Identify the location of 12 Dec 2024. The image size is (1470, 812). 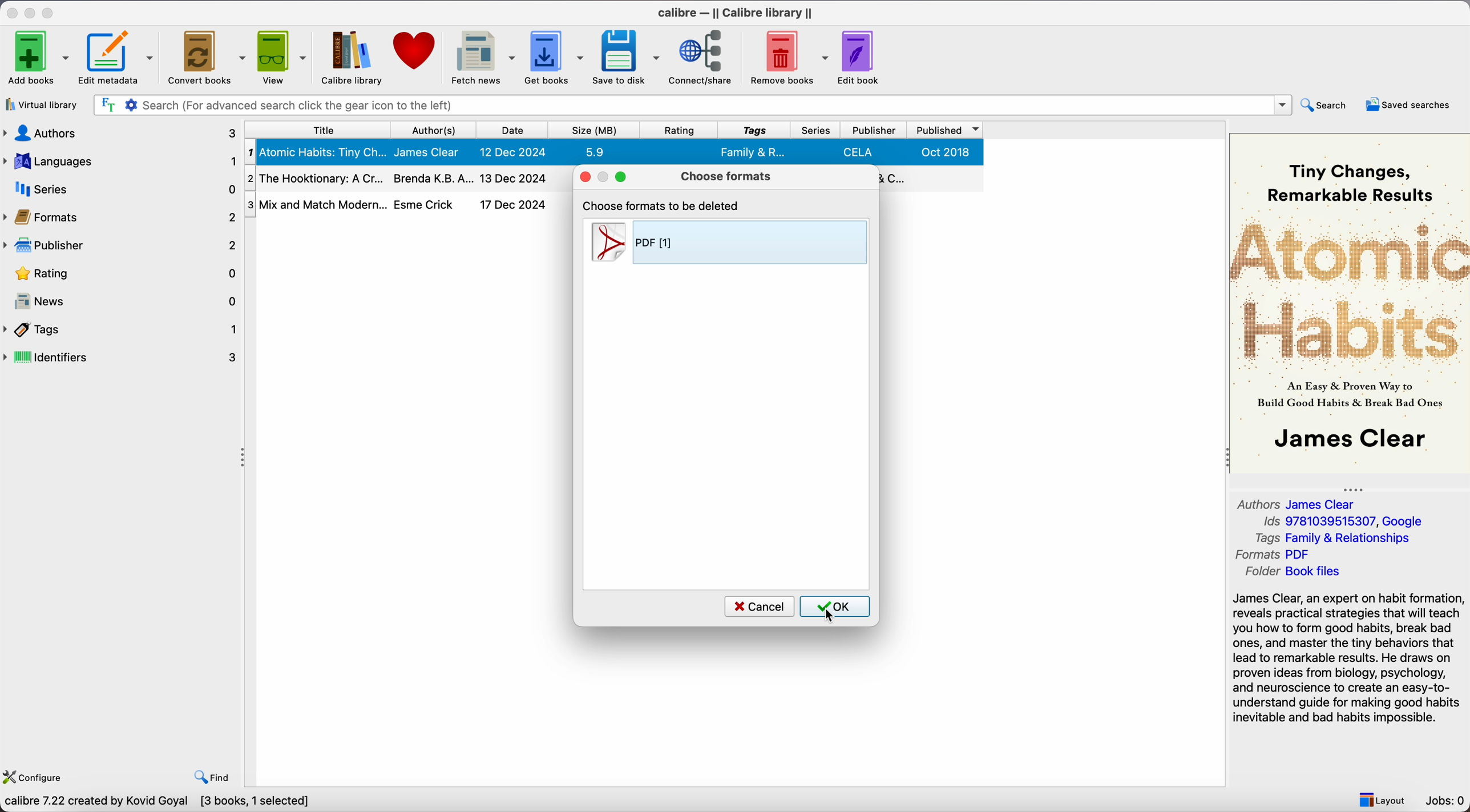
(515, 151).